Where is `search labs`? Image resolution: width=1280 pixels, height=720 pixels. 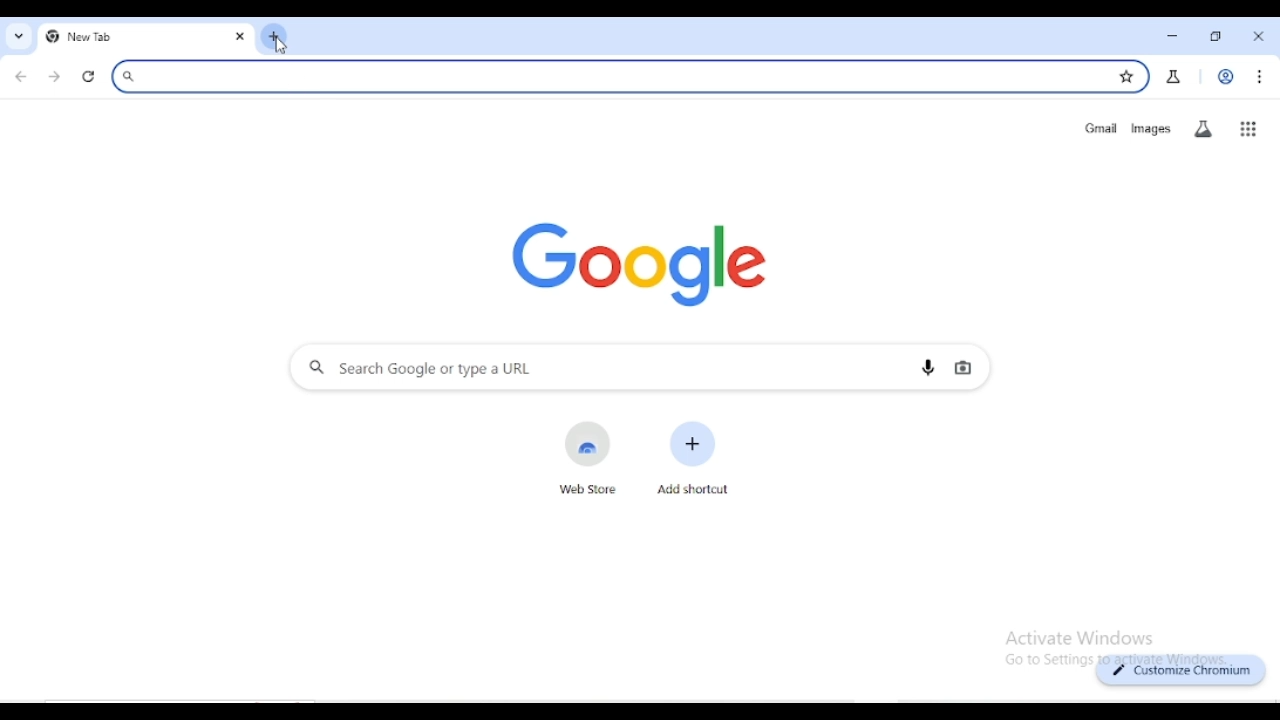
search labs is located at coordinates (1203, 129).